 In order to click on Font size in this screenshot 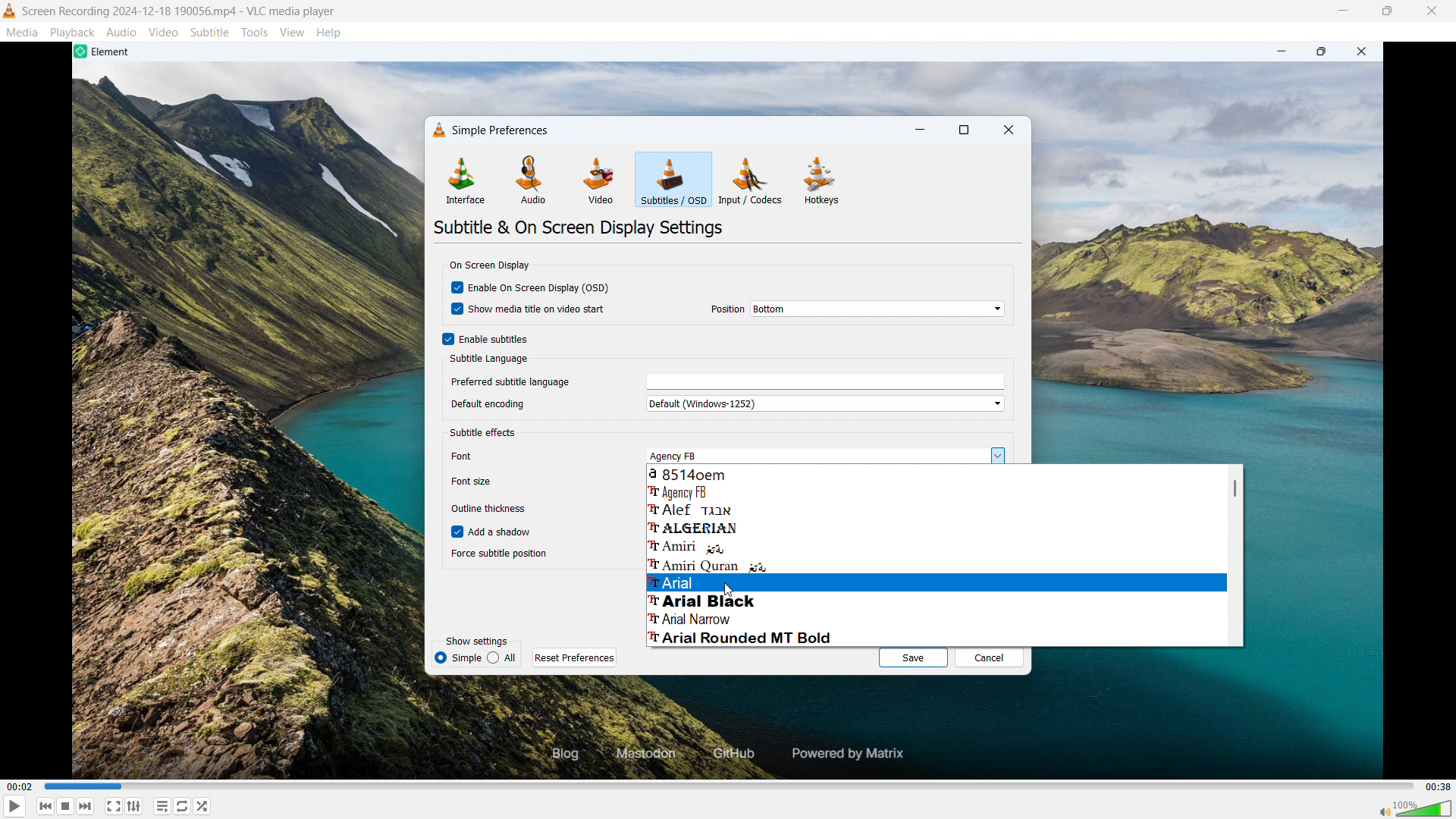, I will do `click(478, 482)`.